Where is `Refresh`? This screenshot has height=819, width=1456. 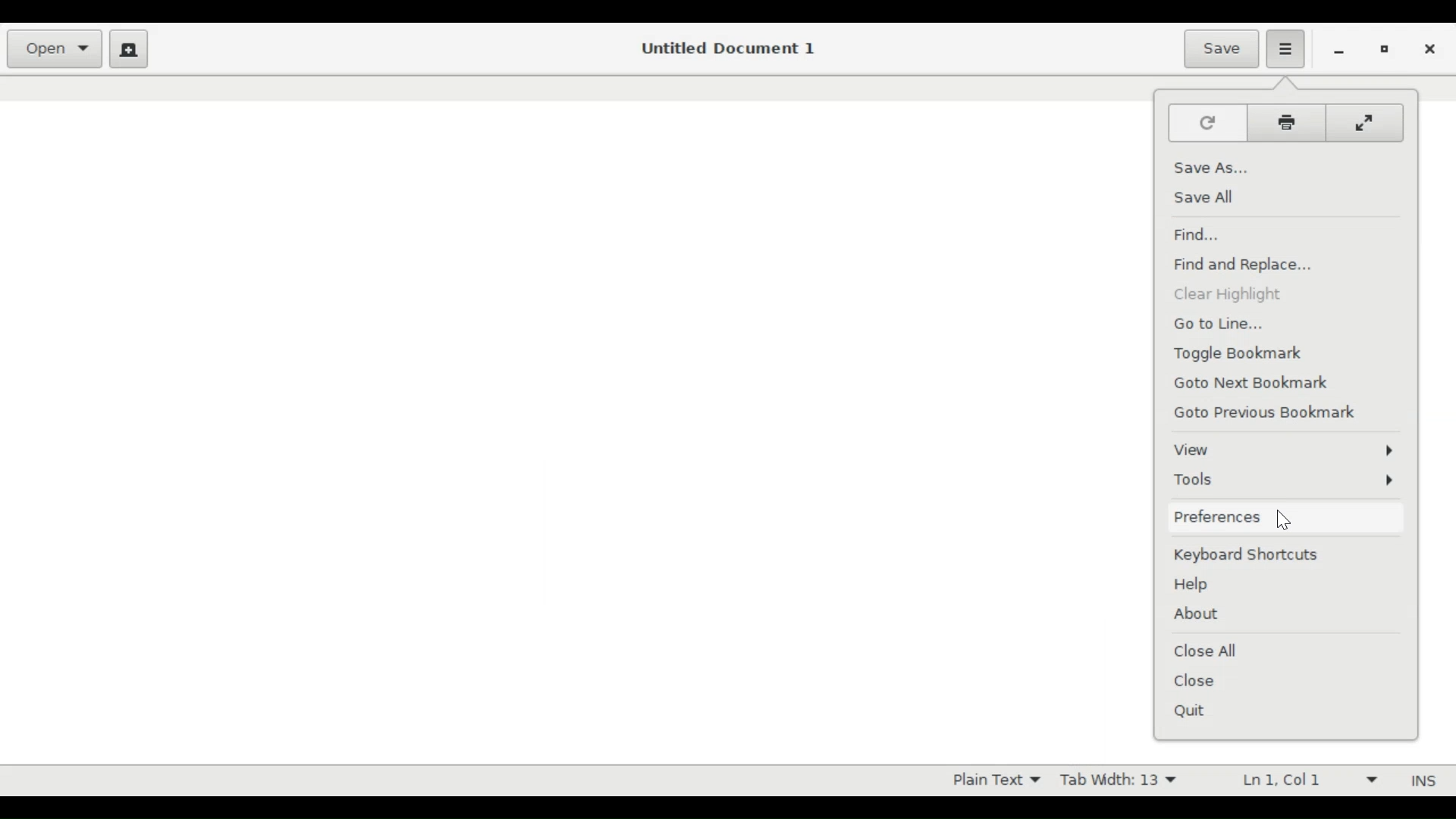
Refresh is located at coordinates (1204, 121).